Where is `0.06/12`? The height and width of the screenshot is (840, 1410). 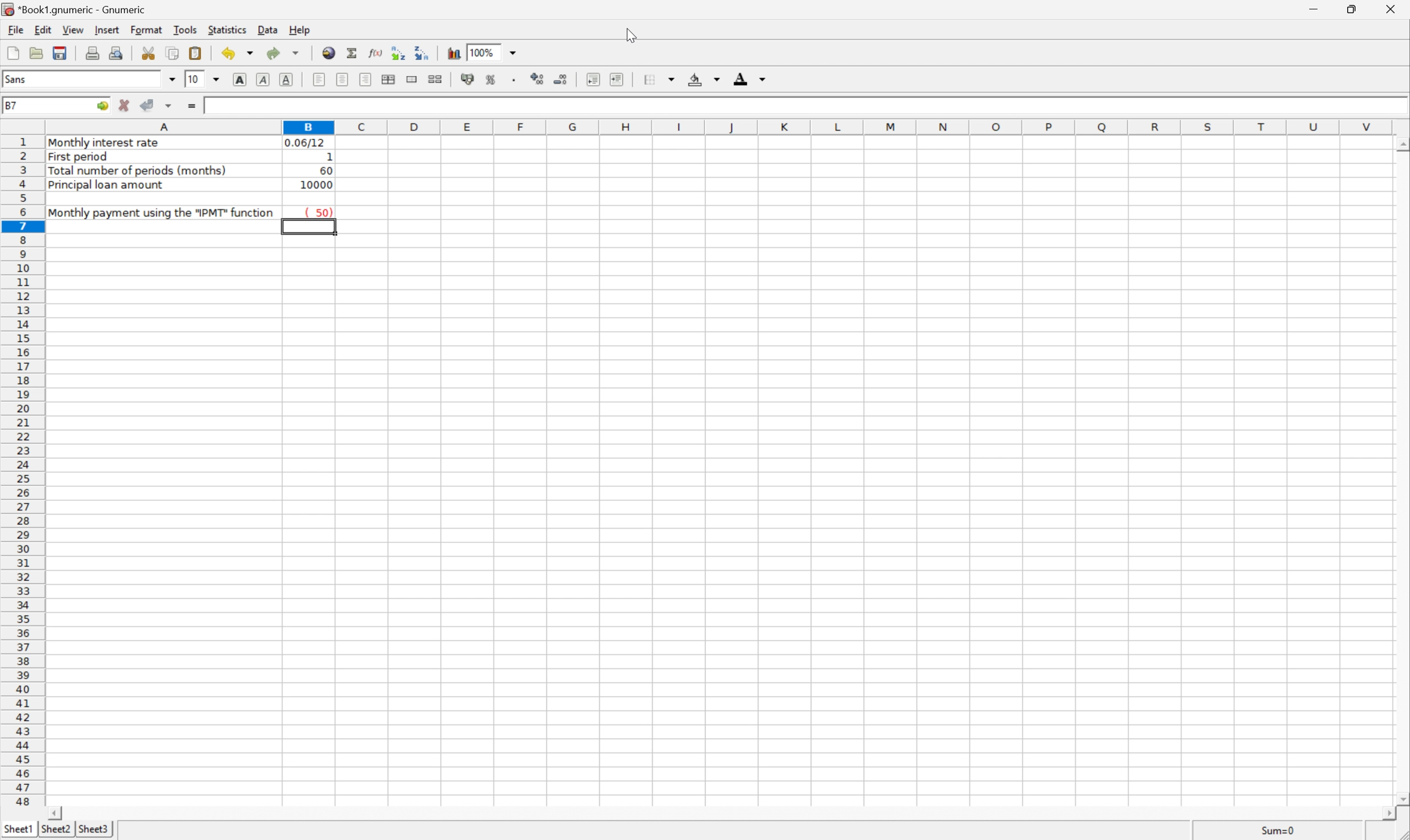
0.06/12 is located at coordinates (306, 142).